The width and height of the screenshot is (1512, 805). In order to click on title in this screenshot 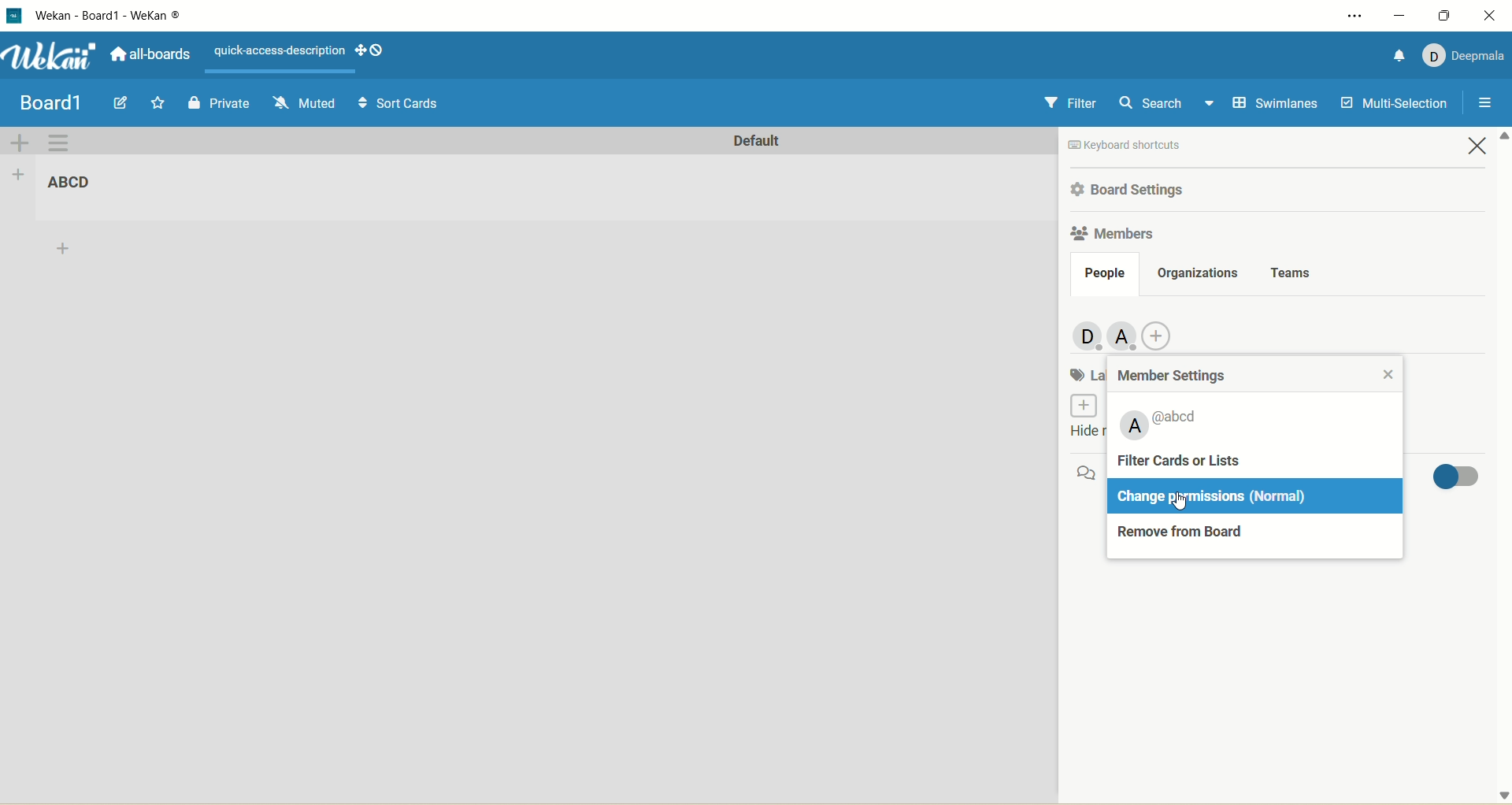, I will do `click(76, 184)`.